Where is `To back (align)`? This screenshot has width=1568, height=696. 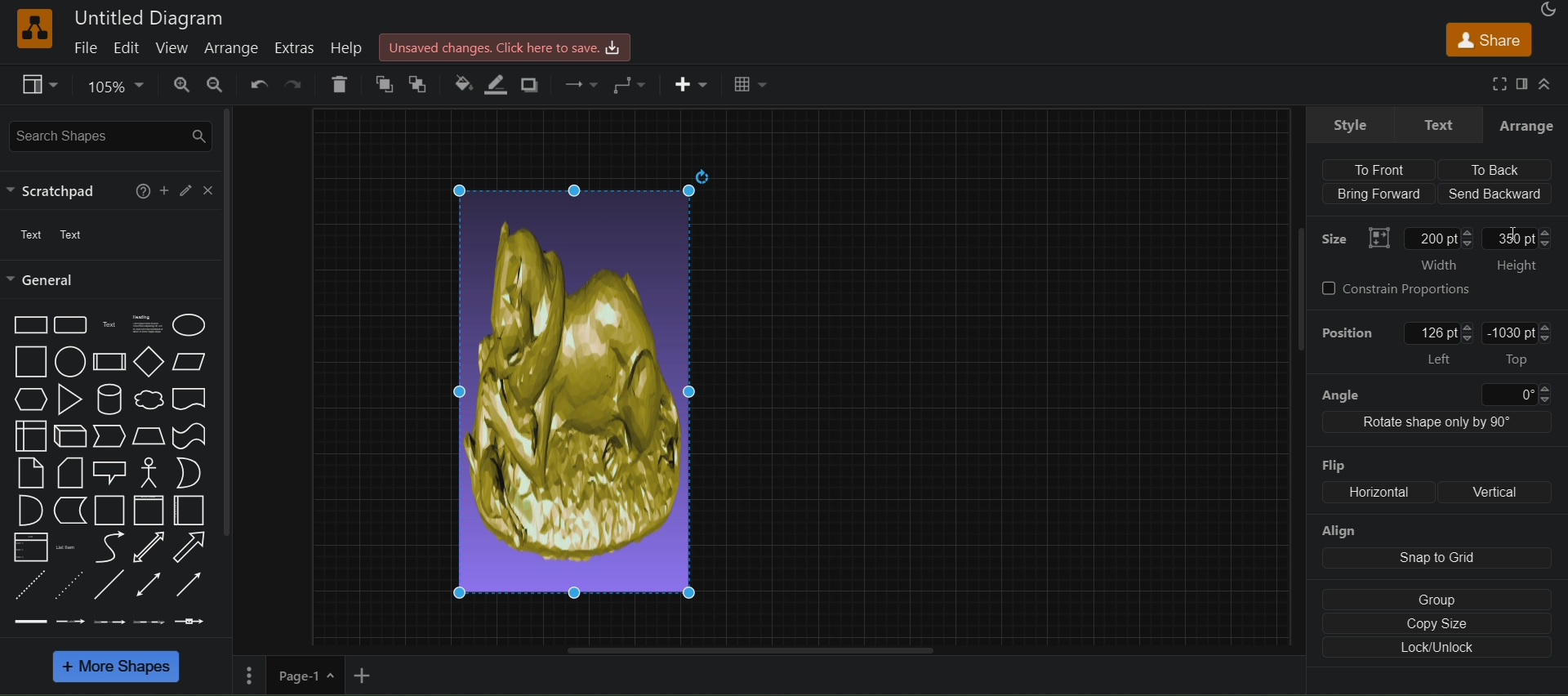 To back (align) is located at coordinates (1499, 170).